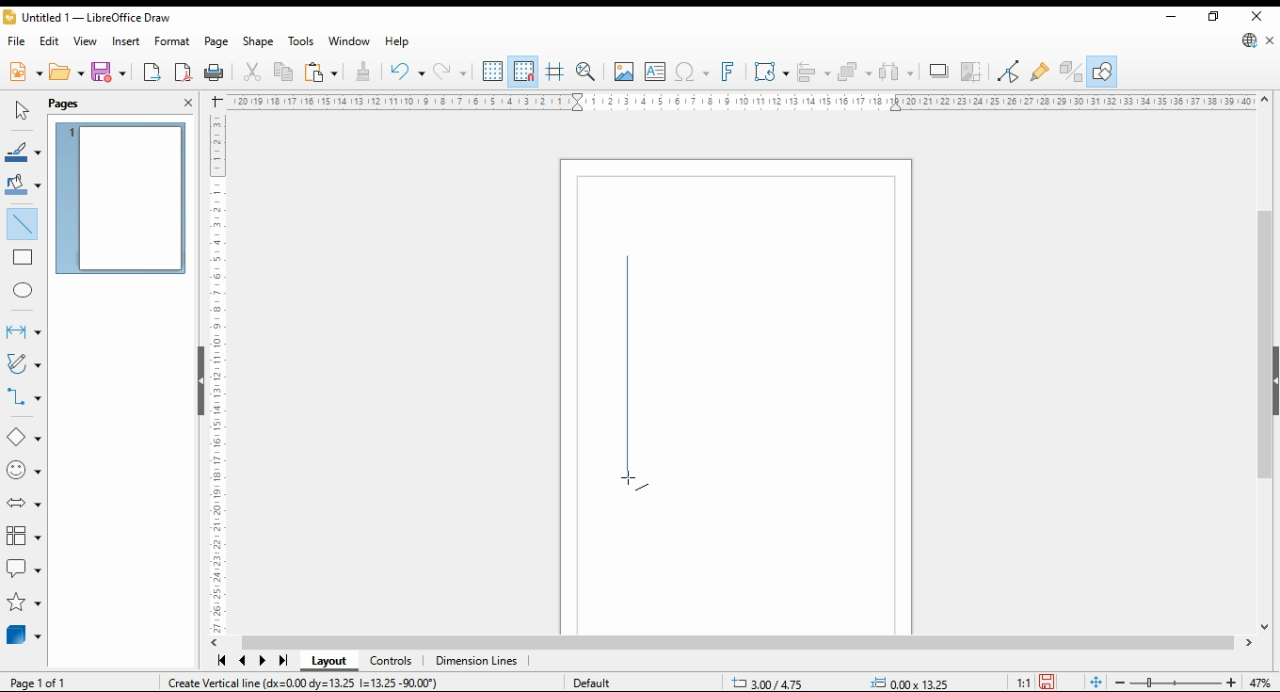  Describe the element at coordinates (66, 73) in the screenshot. I see `open` at that location.